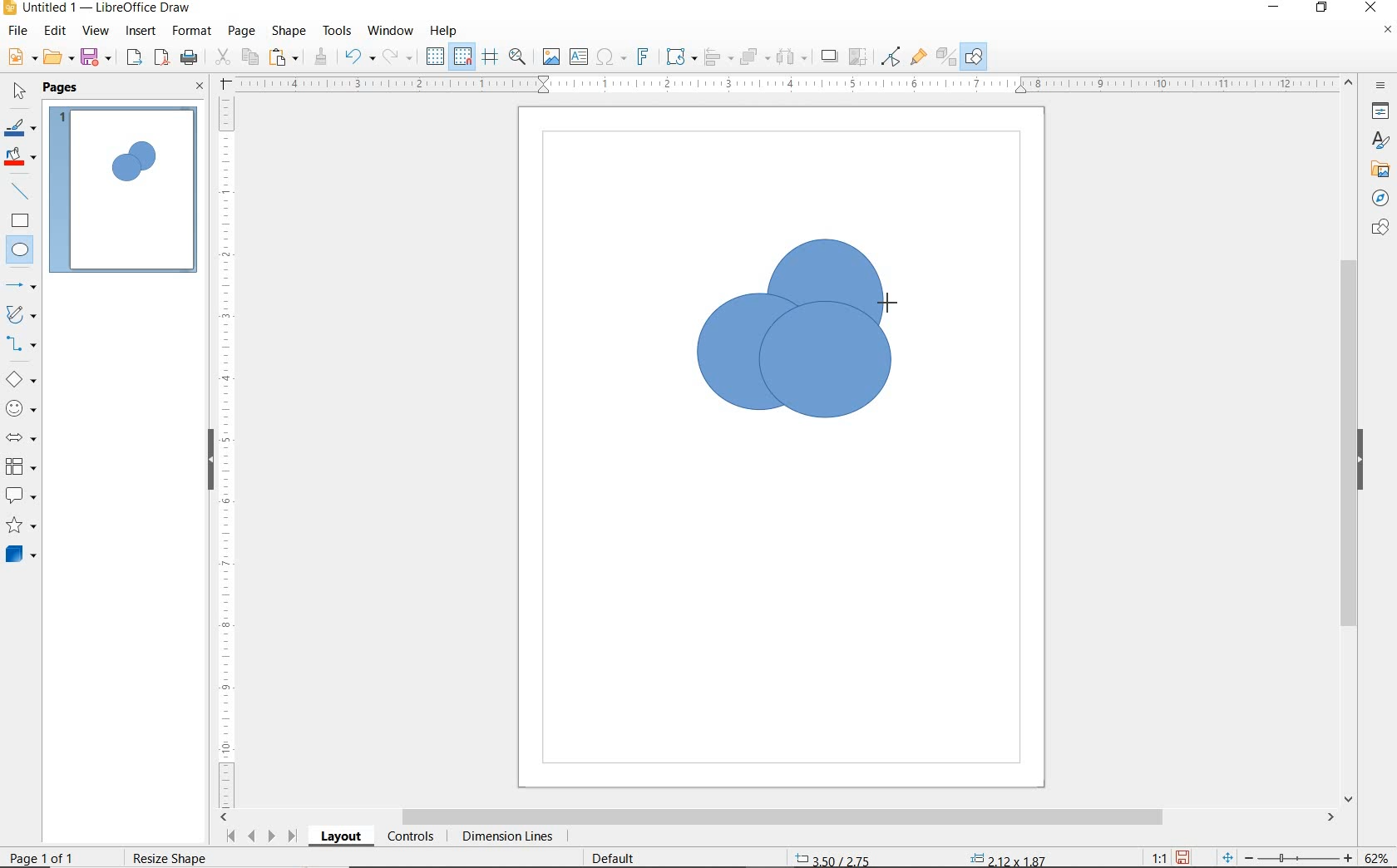  I want to click on CALLOUT SHAPES, so click(20, 496).